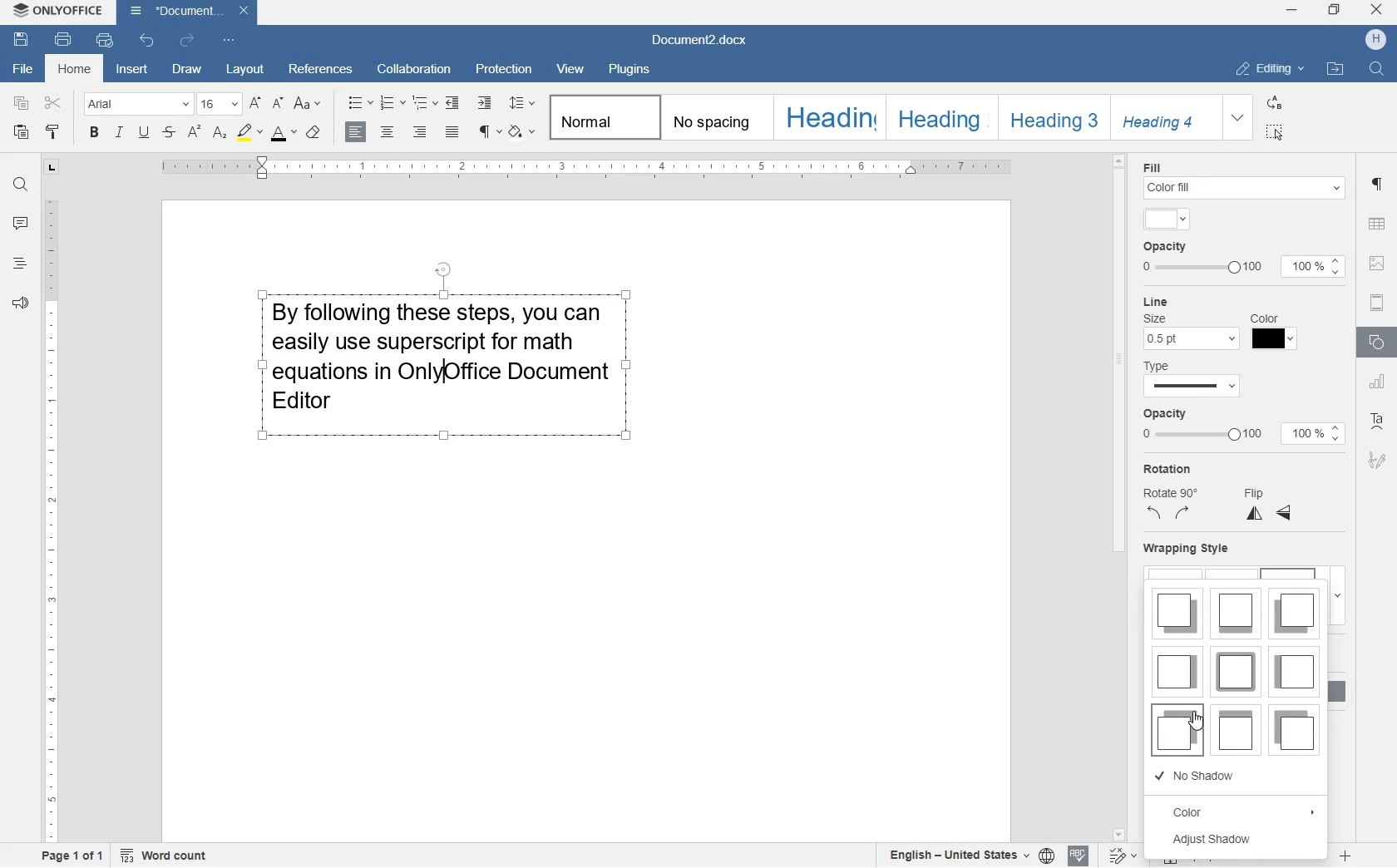  Describe the element at coordinates (58, 11) in the screenshot. I see `system anme` at that location.